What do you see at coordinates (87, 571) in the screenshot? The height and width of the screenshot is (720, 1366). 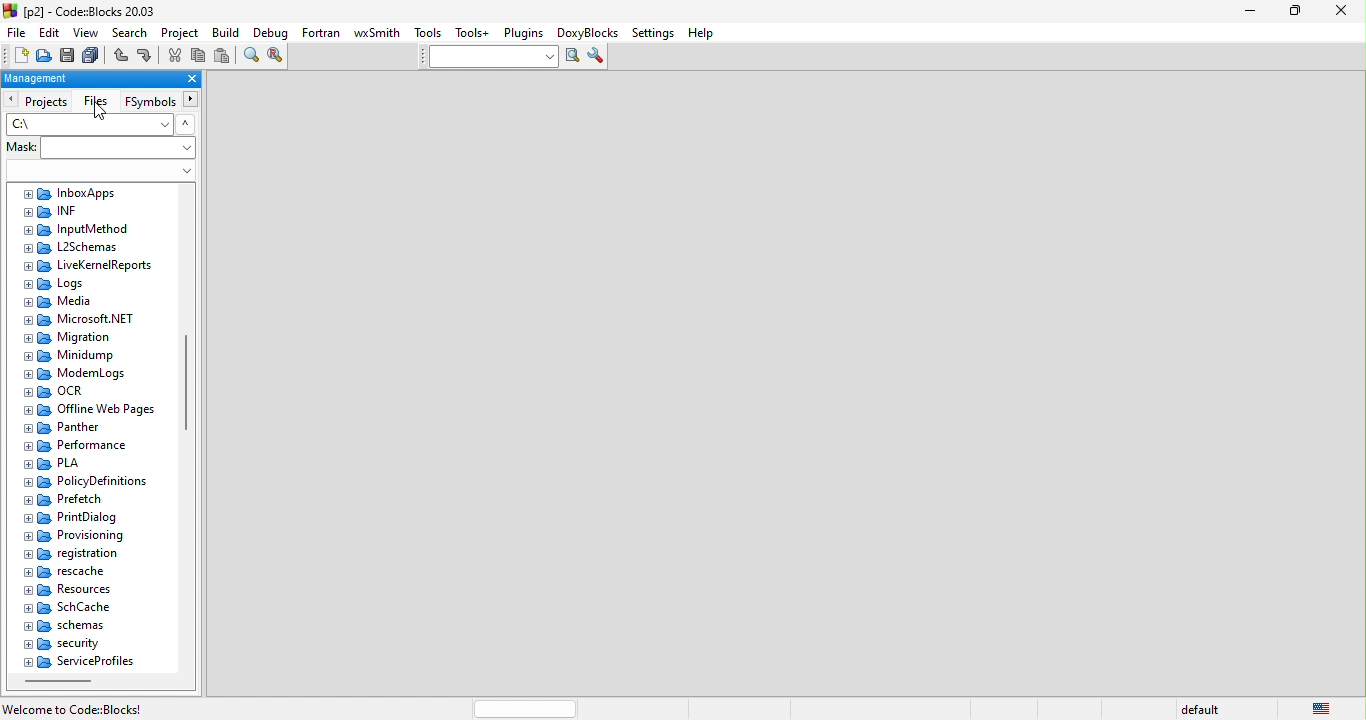 I see `rescache` at bounding box center [87, 571].